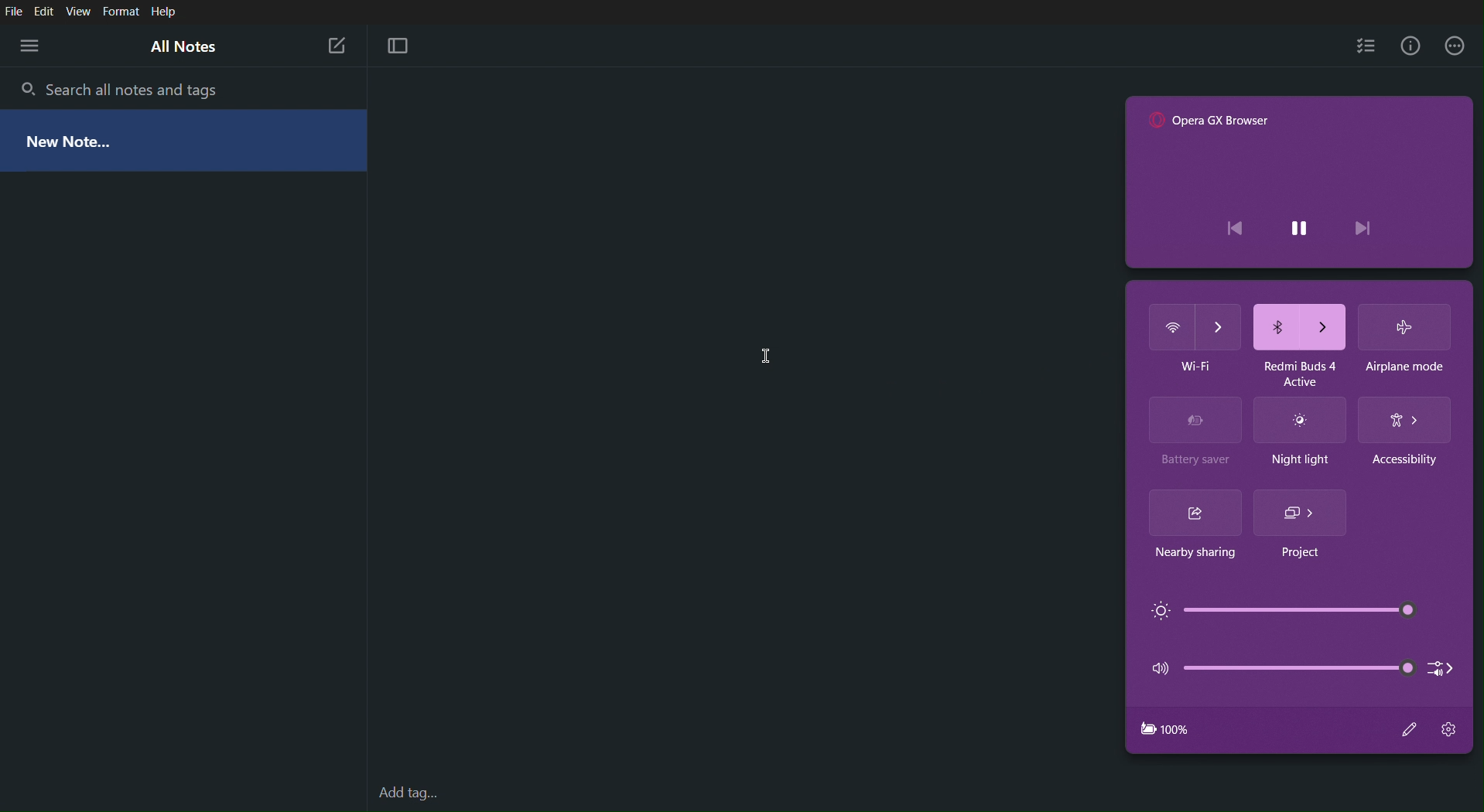 This screenshot has height=812, width=1484. What do you see at coordinates (1300, 324) in the screenshot?
I see `Bluetooth` at bounding box center [1300, 324].